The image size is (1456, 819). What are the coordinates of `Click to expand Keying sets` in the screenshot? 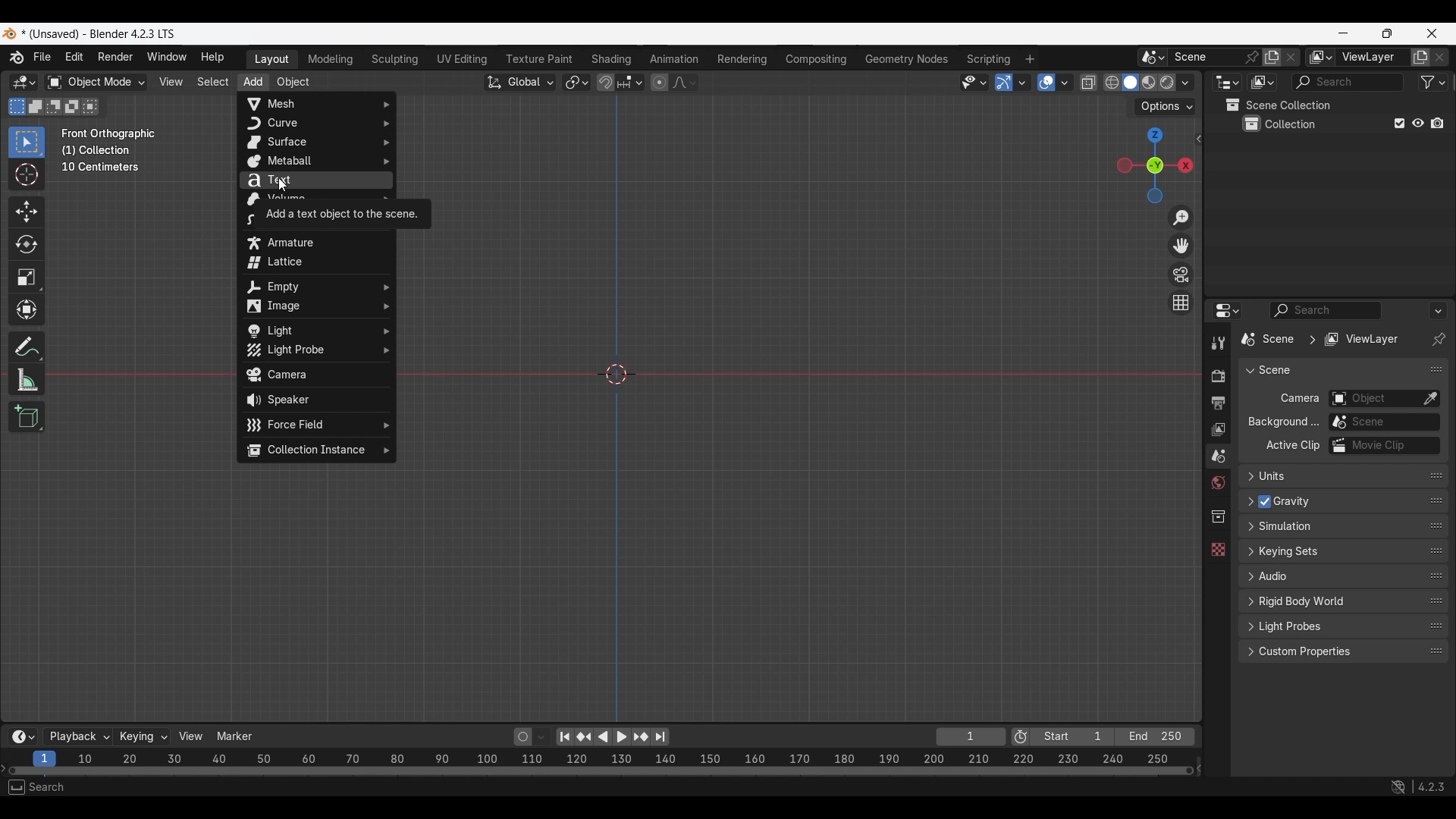 It's located at (1332, 551).